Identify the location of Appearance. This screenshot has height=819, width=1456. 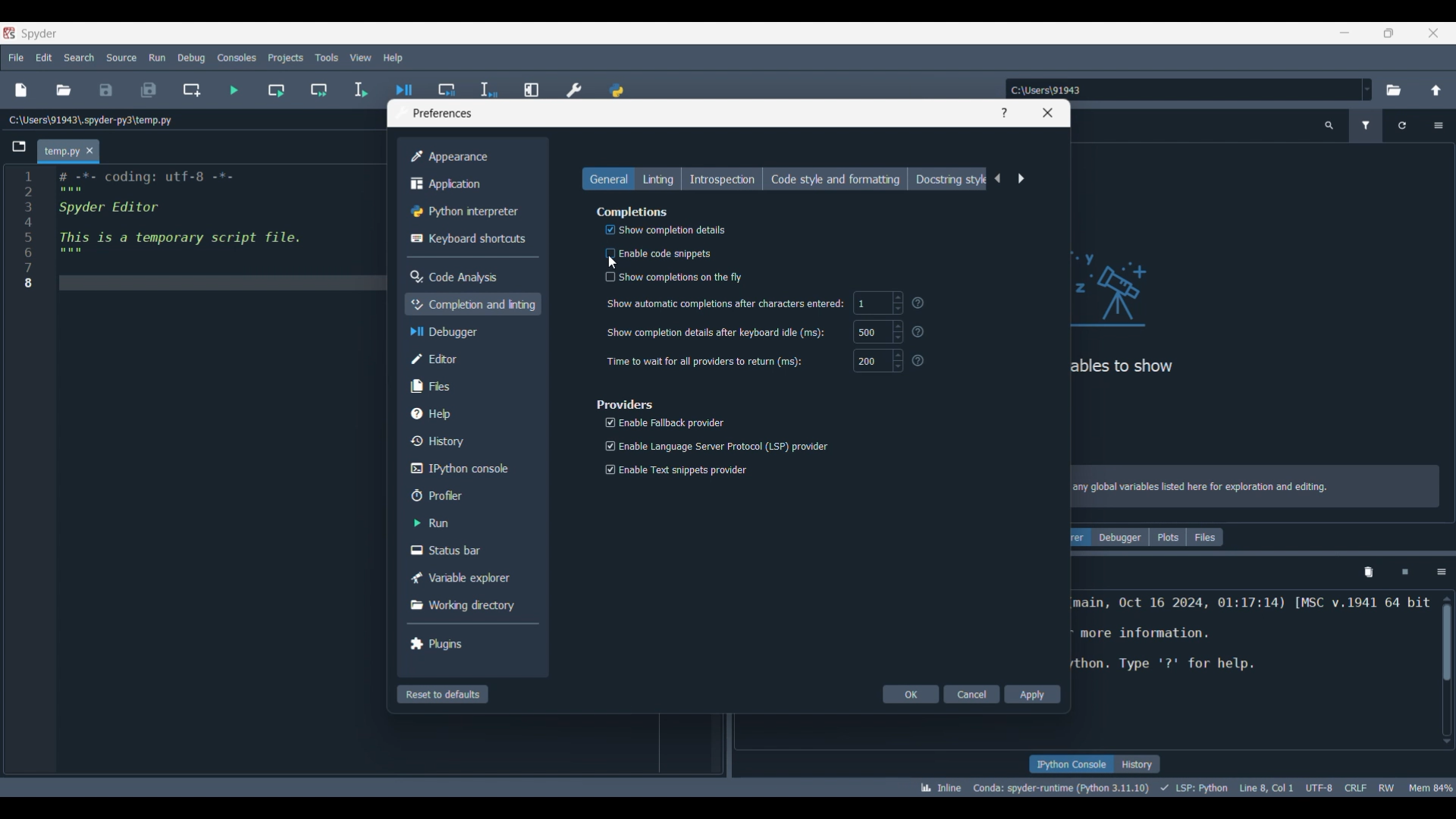
(469, 157).